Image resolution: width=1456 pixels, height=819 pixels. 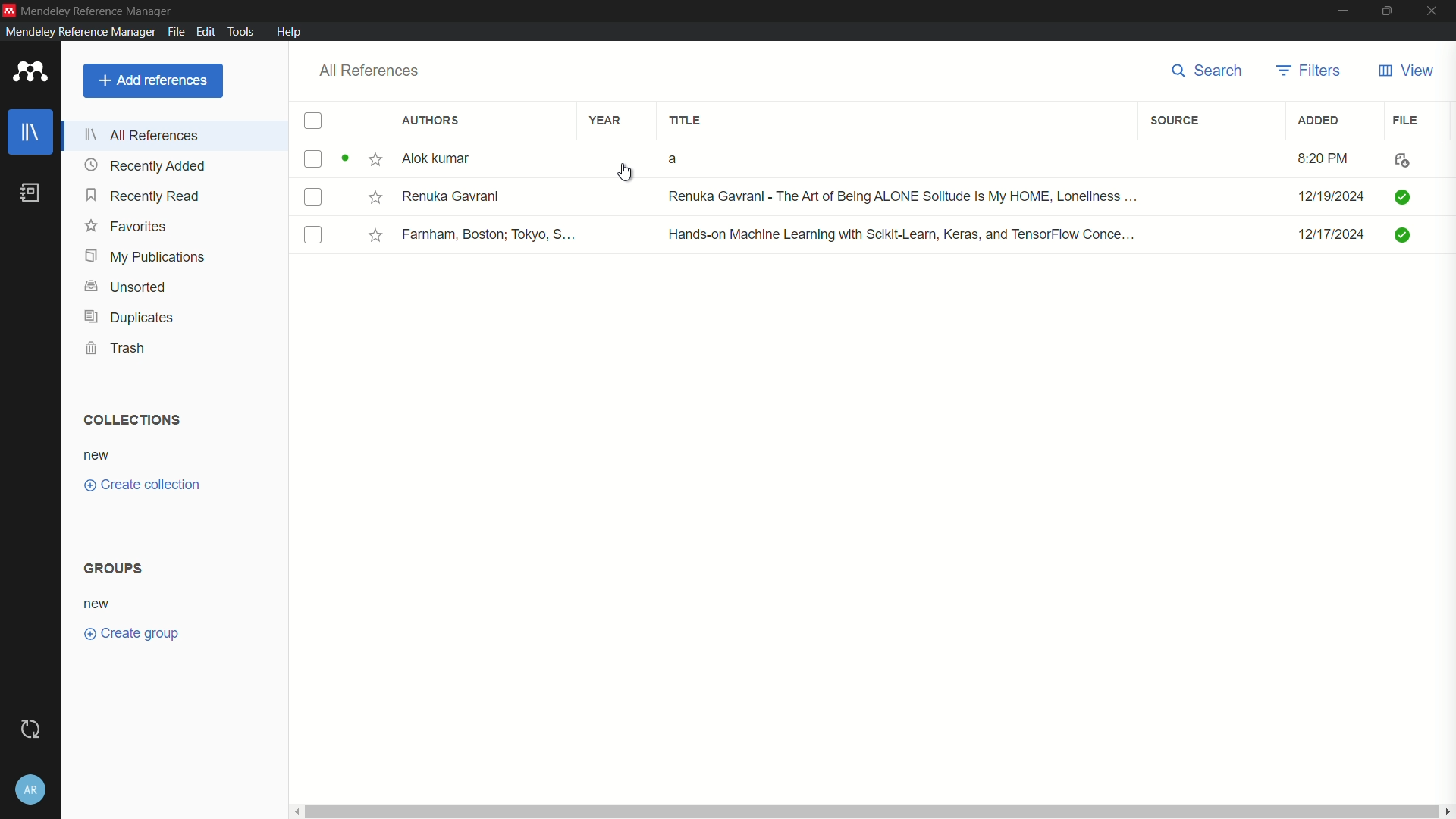 What do you see at coordinates (1407, 71) in the screenshot?
I see `view` at bounding box center [1407, 71].